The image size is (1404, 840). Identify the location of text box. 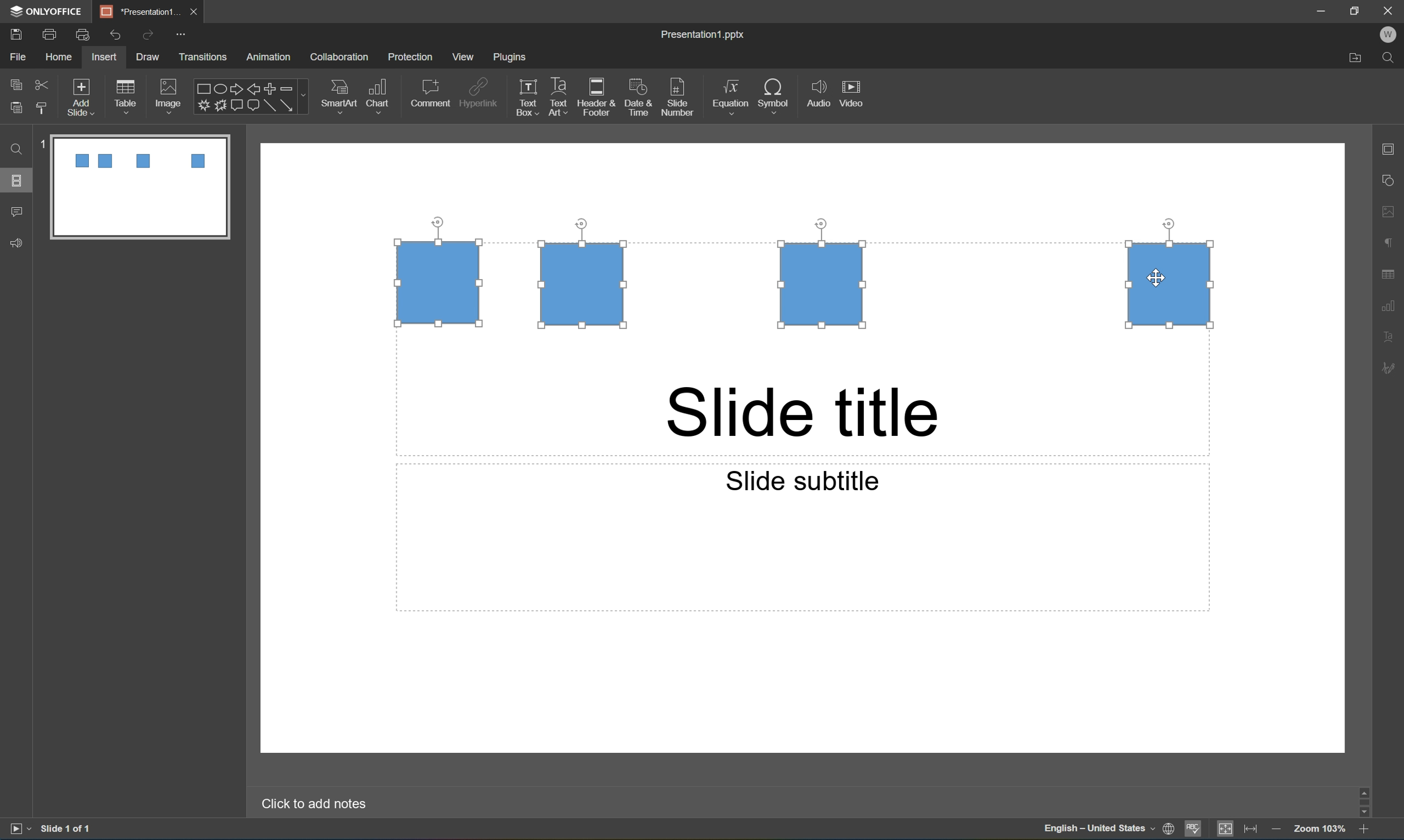
(524, 98).